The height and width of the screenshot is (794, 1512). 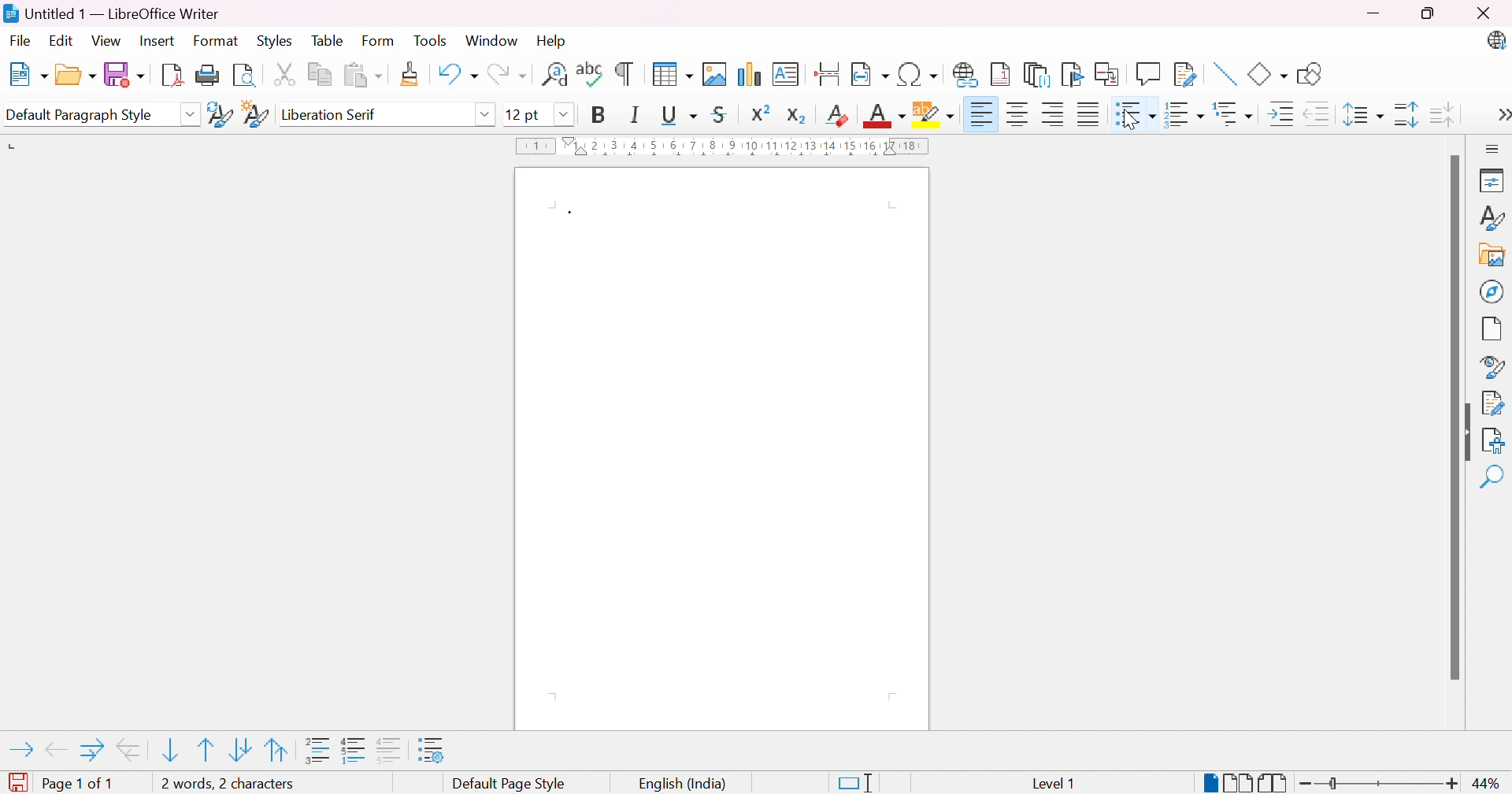 What do you see at coordinates (128, 749) in the screenshot?
I see `Promote outline level with subpoints` at bounding box center [128, 749].